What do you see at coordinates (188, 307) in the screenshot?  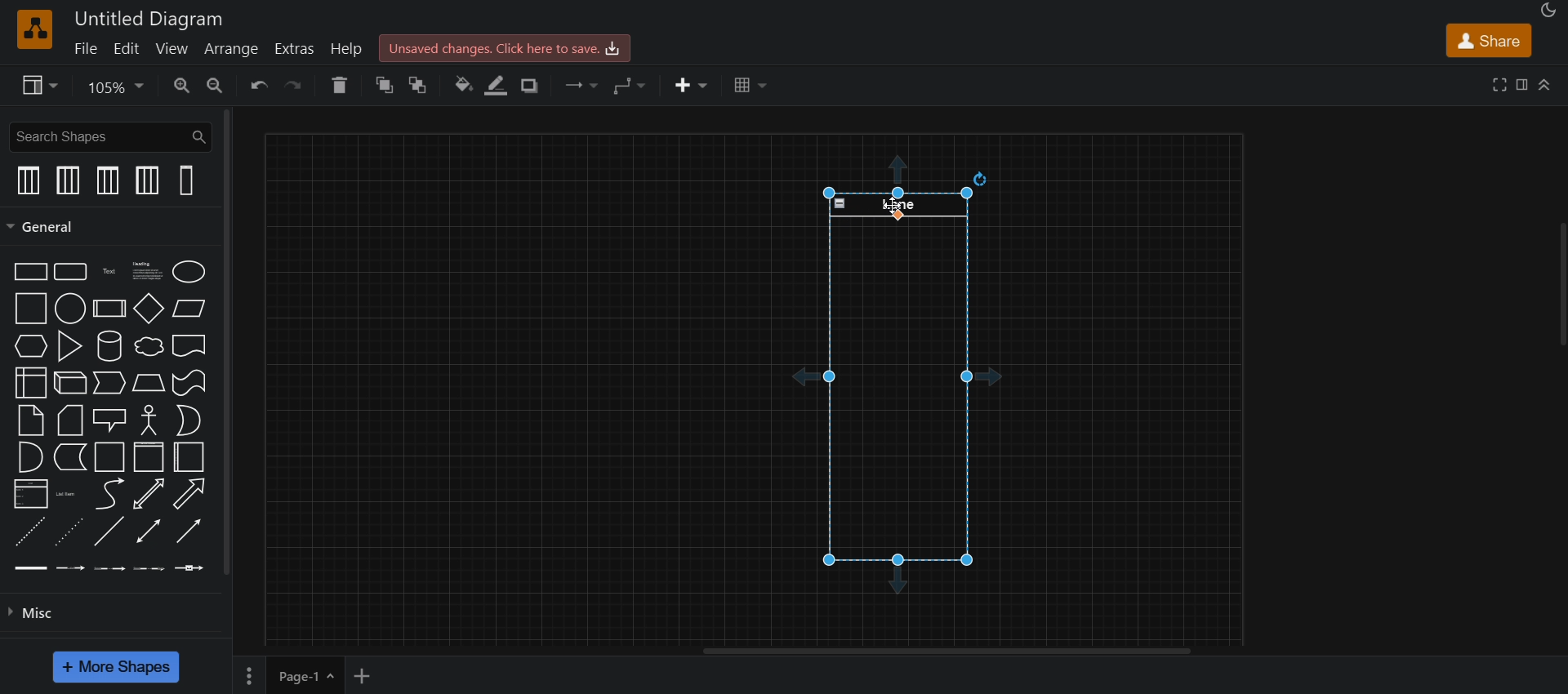 I see `parallelogram` at bounding box center [188, 307].